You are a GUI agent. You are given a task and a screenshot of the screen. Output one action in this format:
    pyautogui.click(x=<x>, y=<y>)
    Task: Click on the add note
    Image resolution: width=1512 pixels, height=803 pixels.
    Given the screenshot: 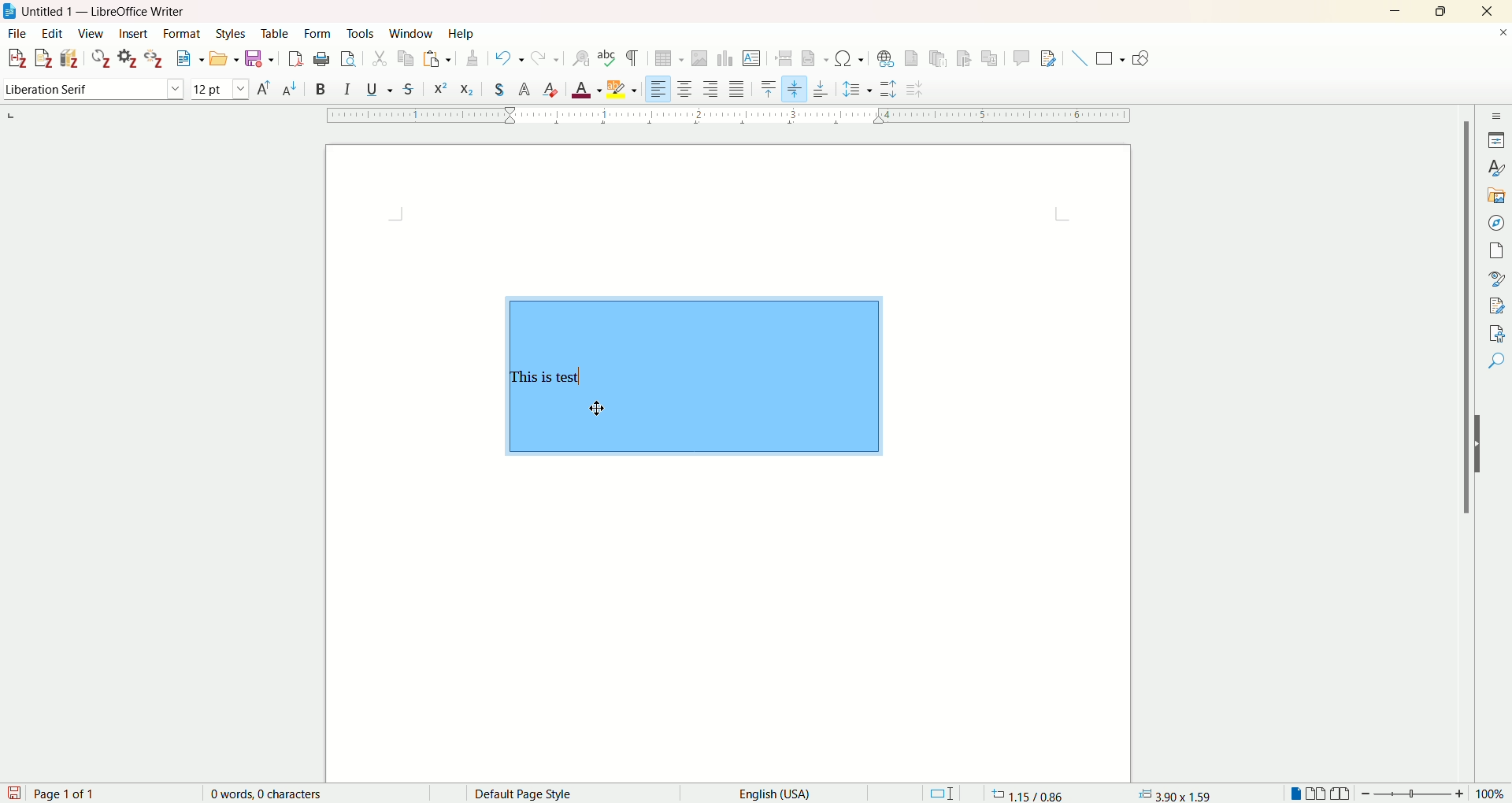 What is the action you would take?
    pyautogui.click(x=44, y=58)
    